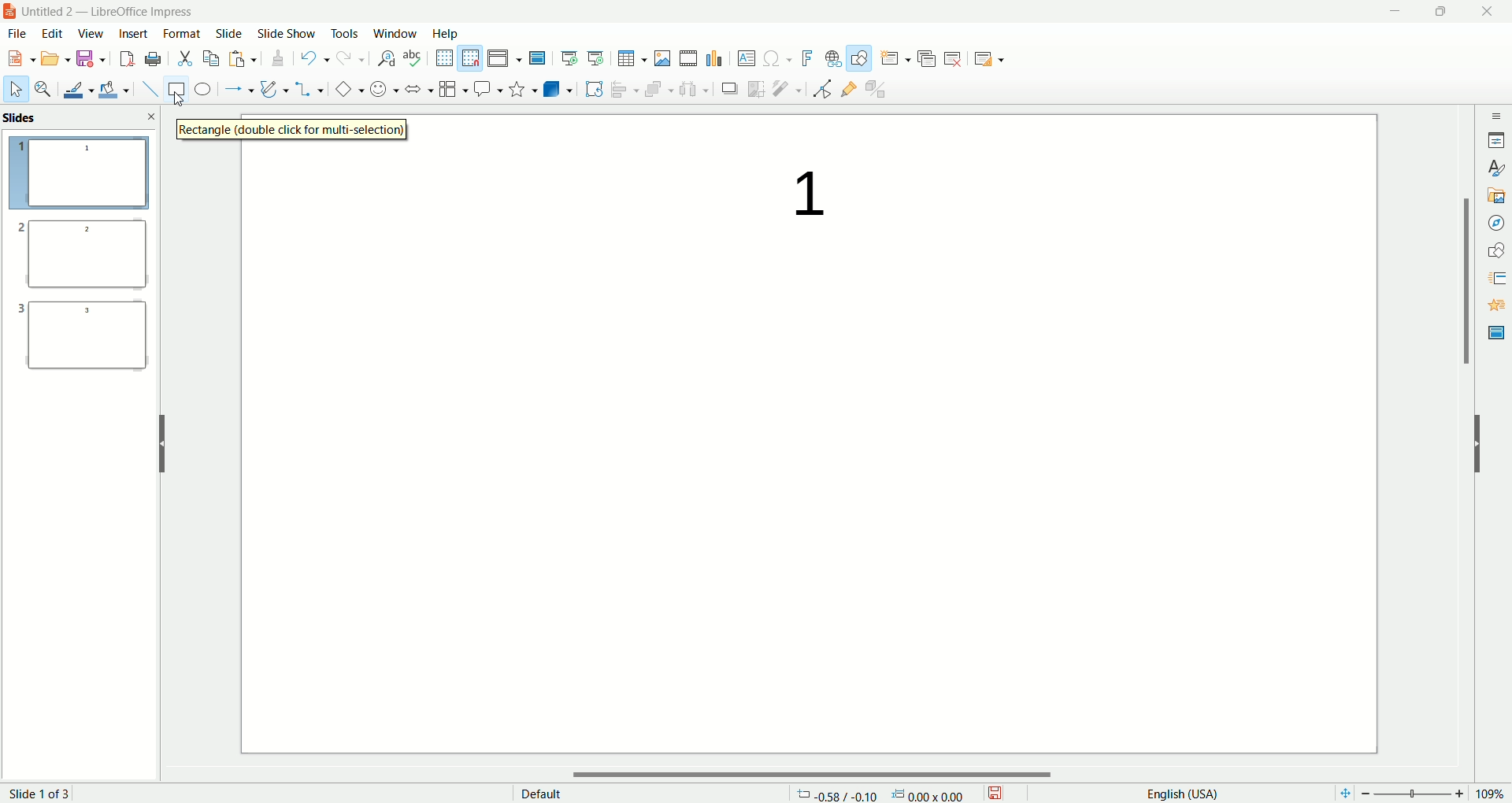 The width and height of the screenshot is (1512, 803). I want to click on slide show, so click(289, 34).